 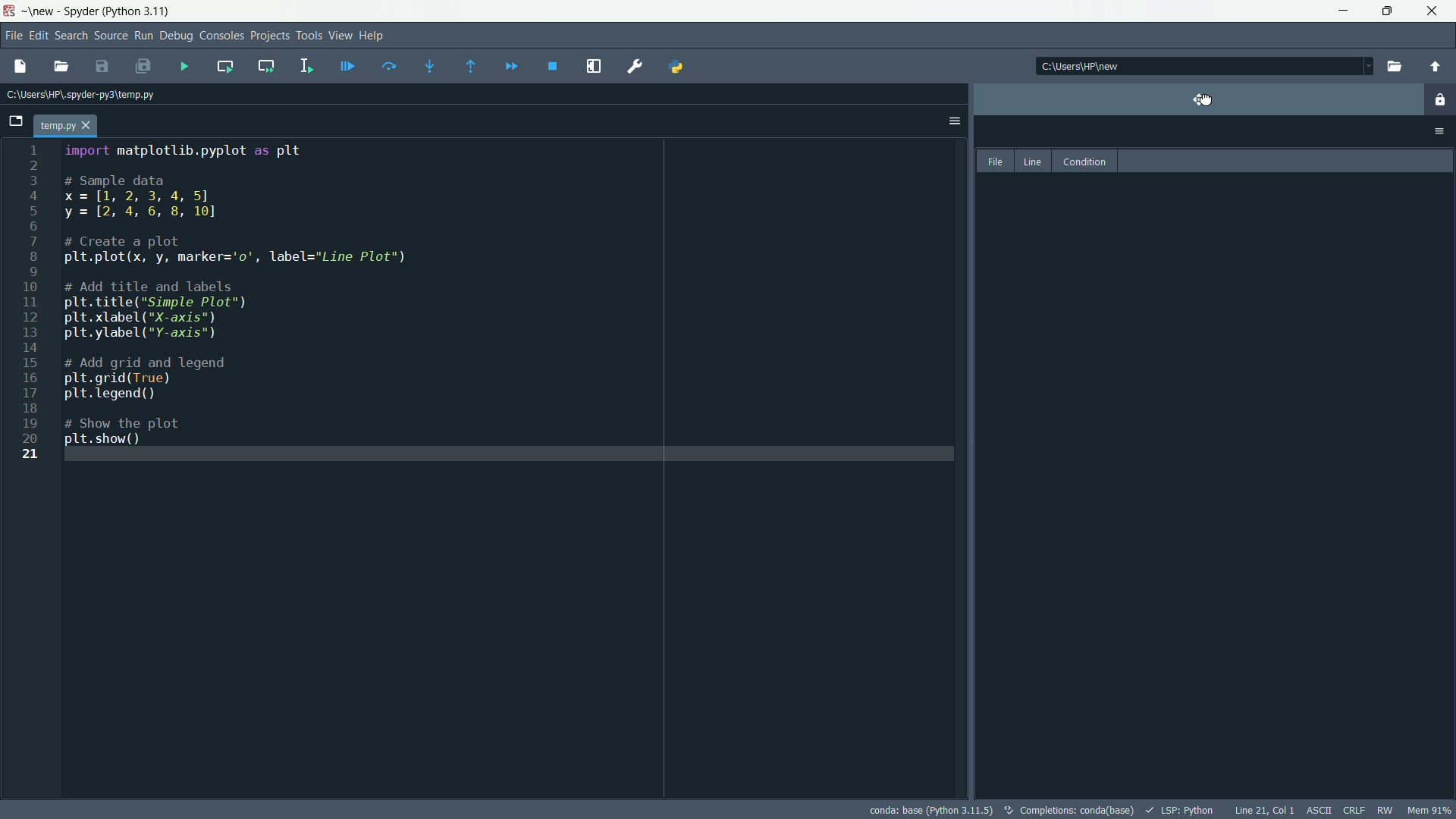 I want to click on cursor, so click(x=1200, y=97).